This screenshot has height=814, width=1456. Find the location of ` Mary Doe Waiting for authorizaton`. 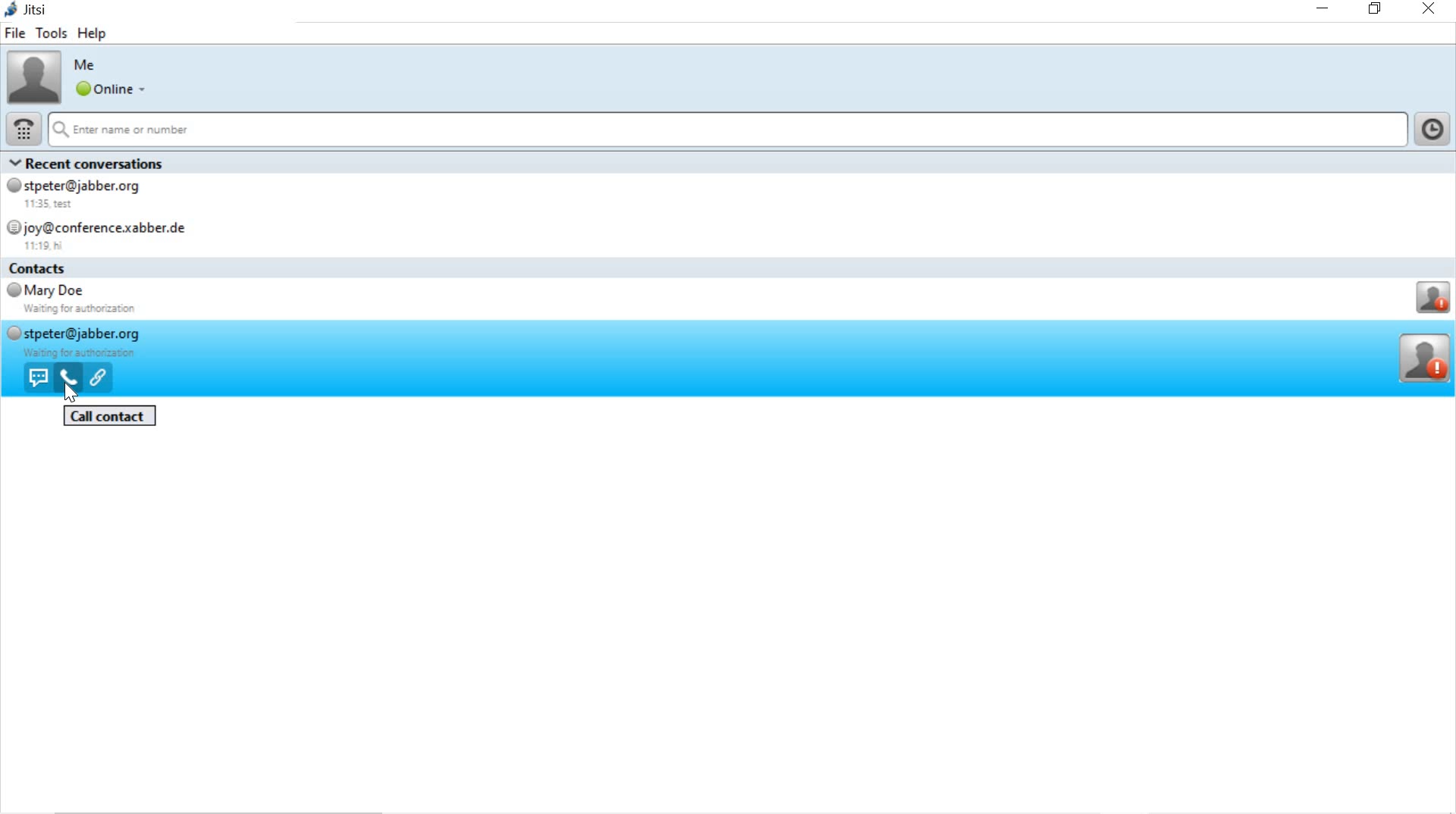

 Mary Doe Waiting for authorizaton is located at coordinates (74, 301).